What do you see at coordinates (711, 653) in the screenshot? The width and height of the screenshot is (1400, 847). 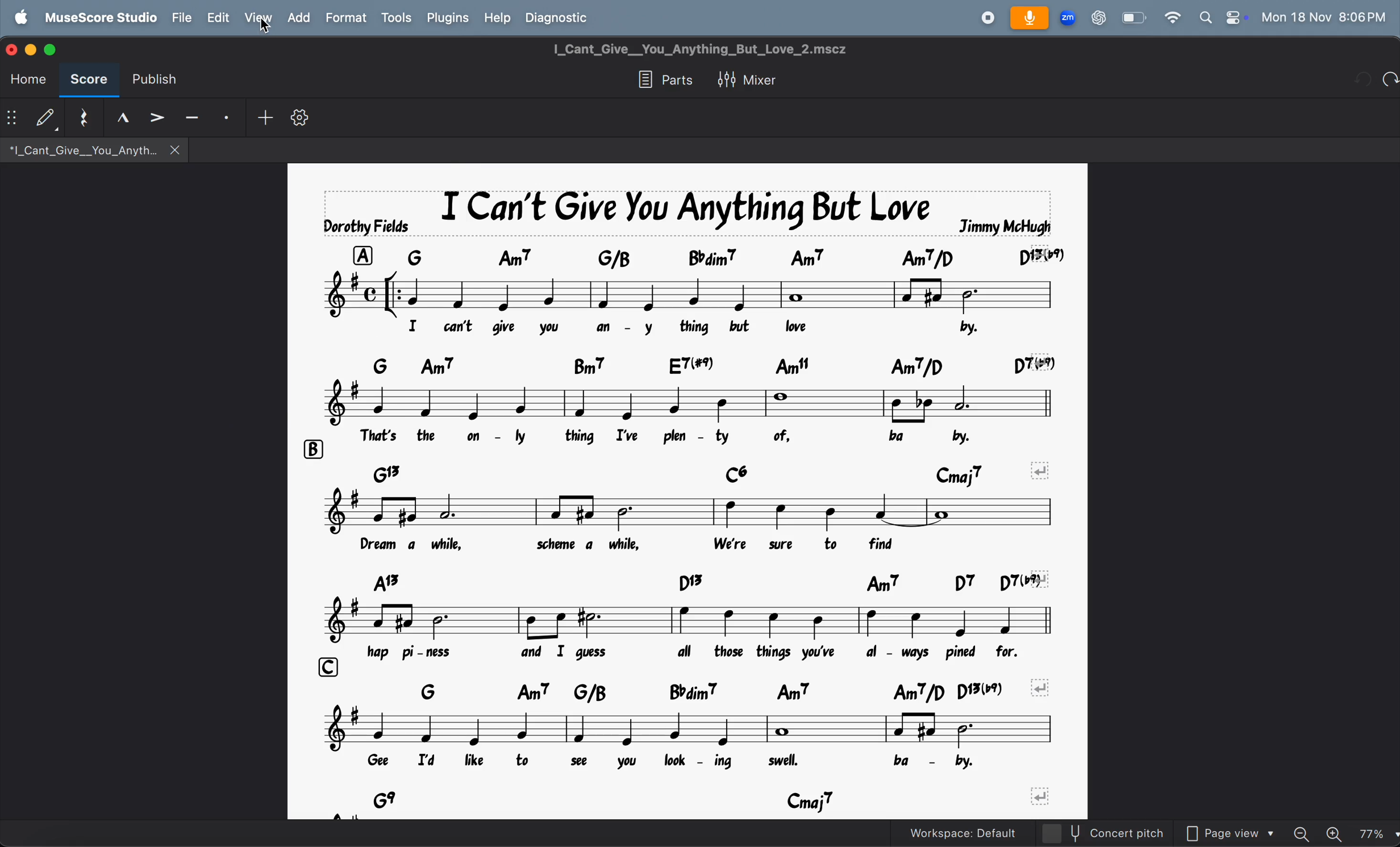 I see `lyrics` at bounding box center [711, 653].